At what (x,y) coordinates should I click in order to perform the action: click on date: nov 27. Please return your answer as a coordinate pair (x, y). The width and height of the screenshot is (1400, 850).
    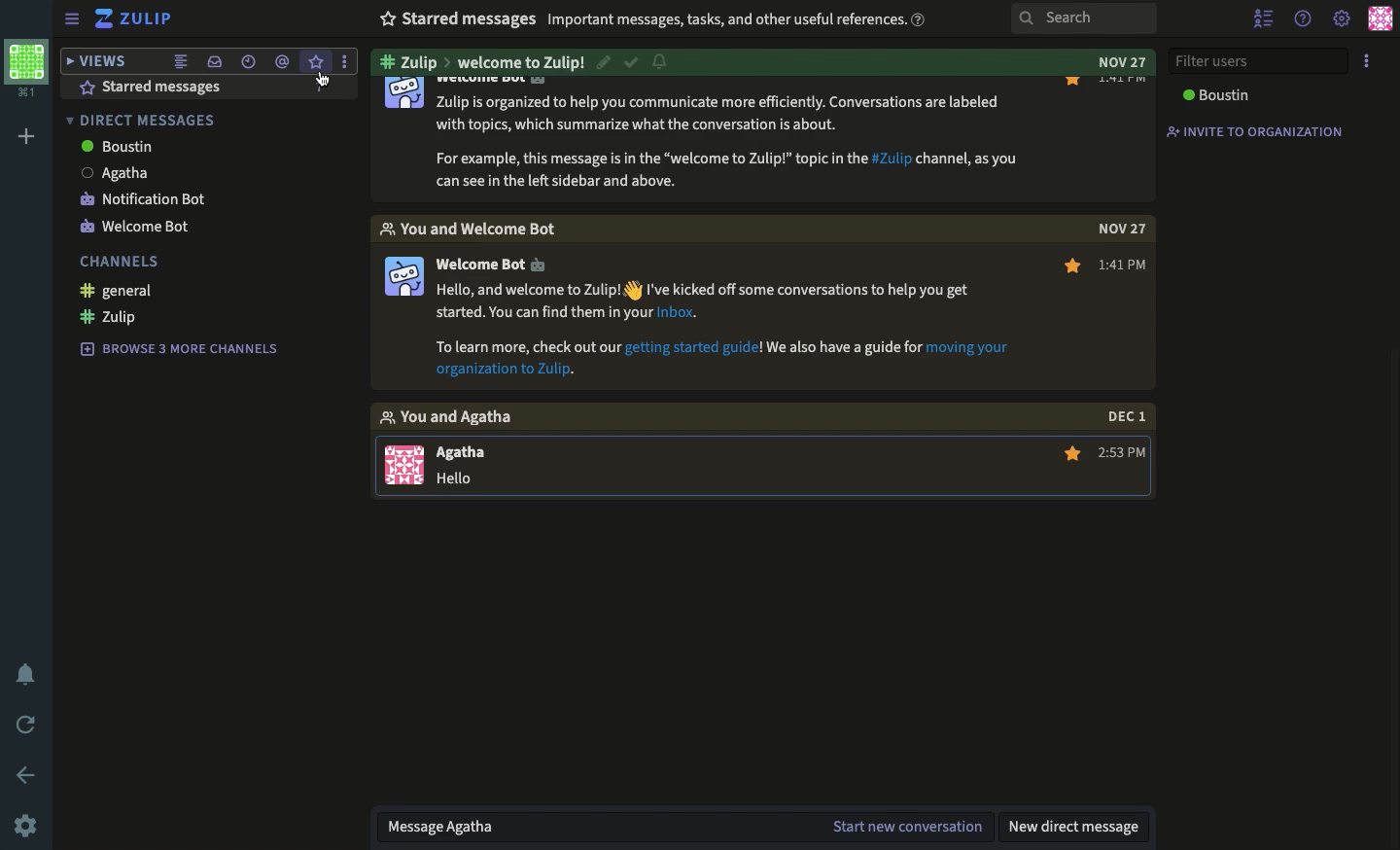
    Looking at the image, I should click on (1115, 228).